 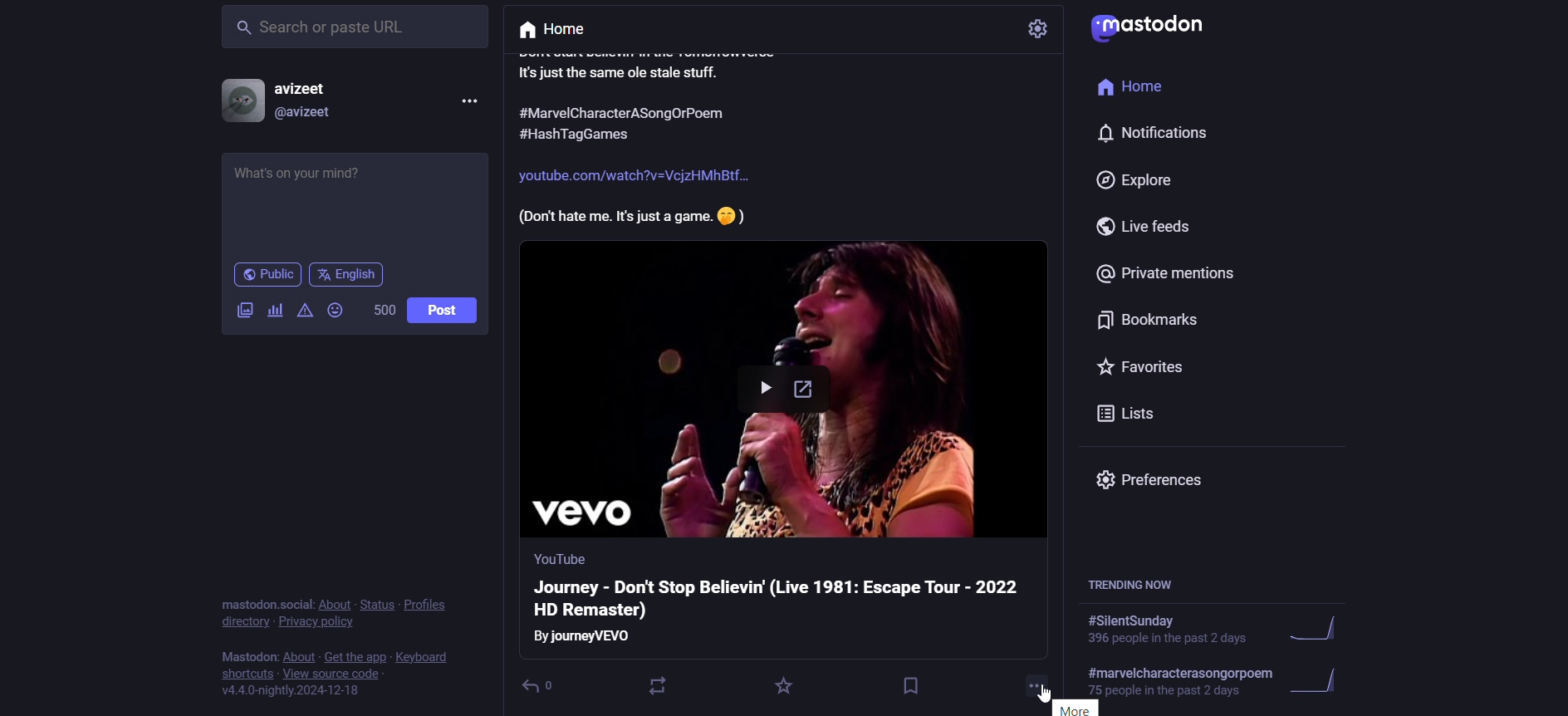 I want to click on display picture, so click(x=239, y=101).